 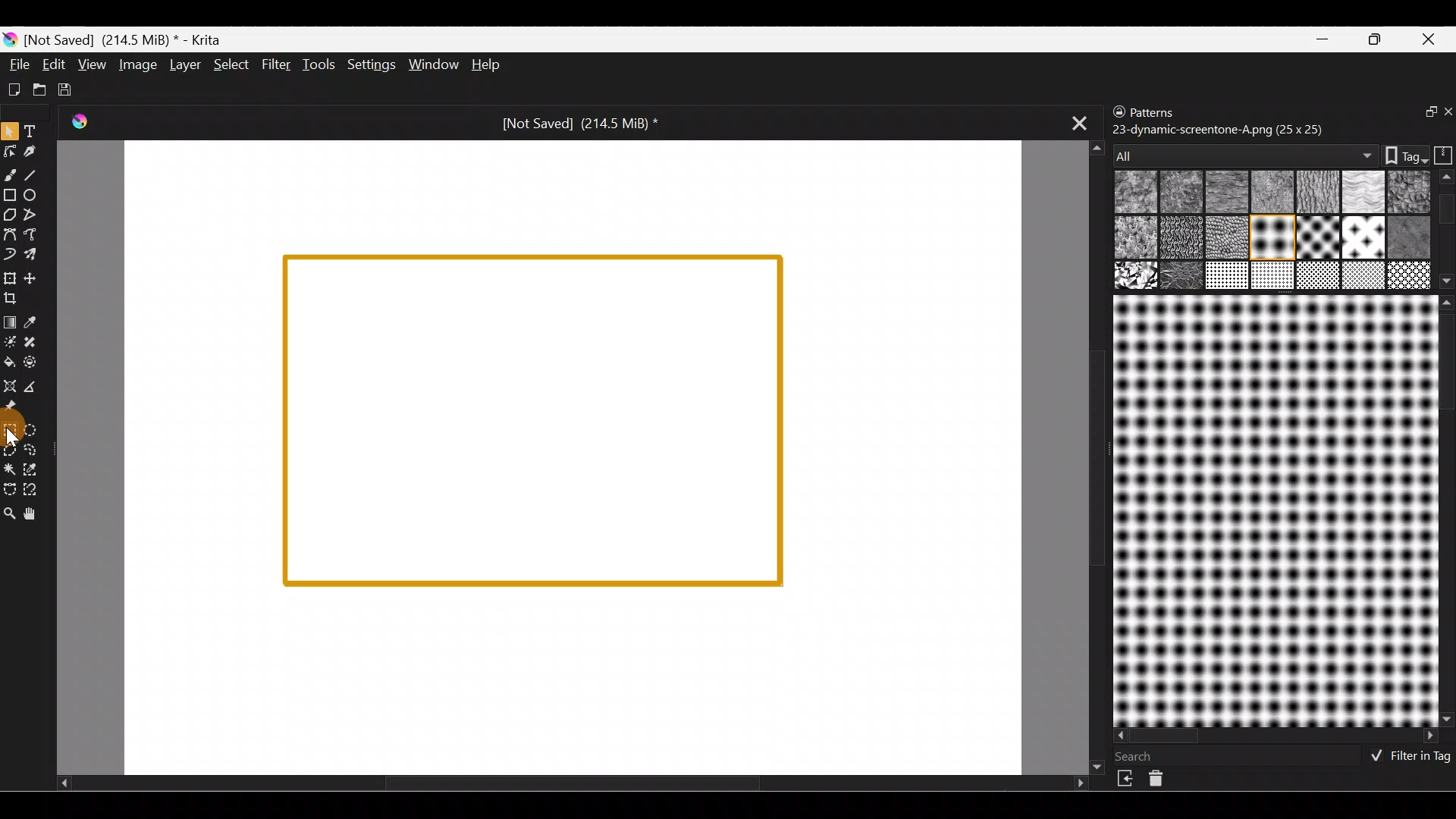 What do you see at coordinates (431, 64) in the screenshot?
I see `Window` at bounding box center [431, 64].